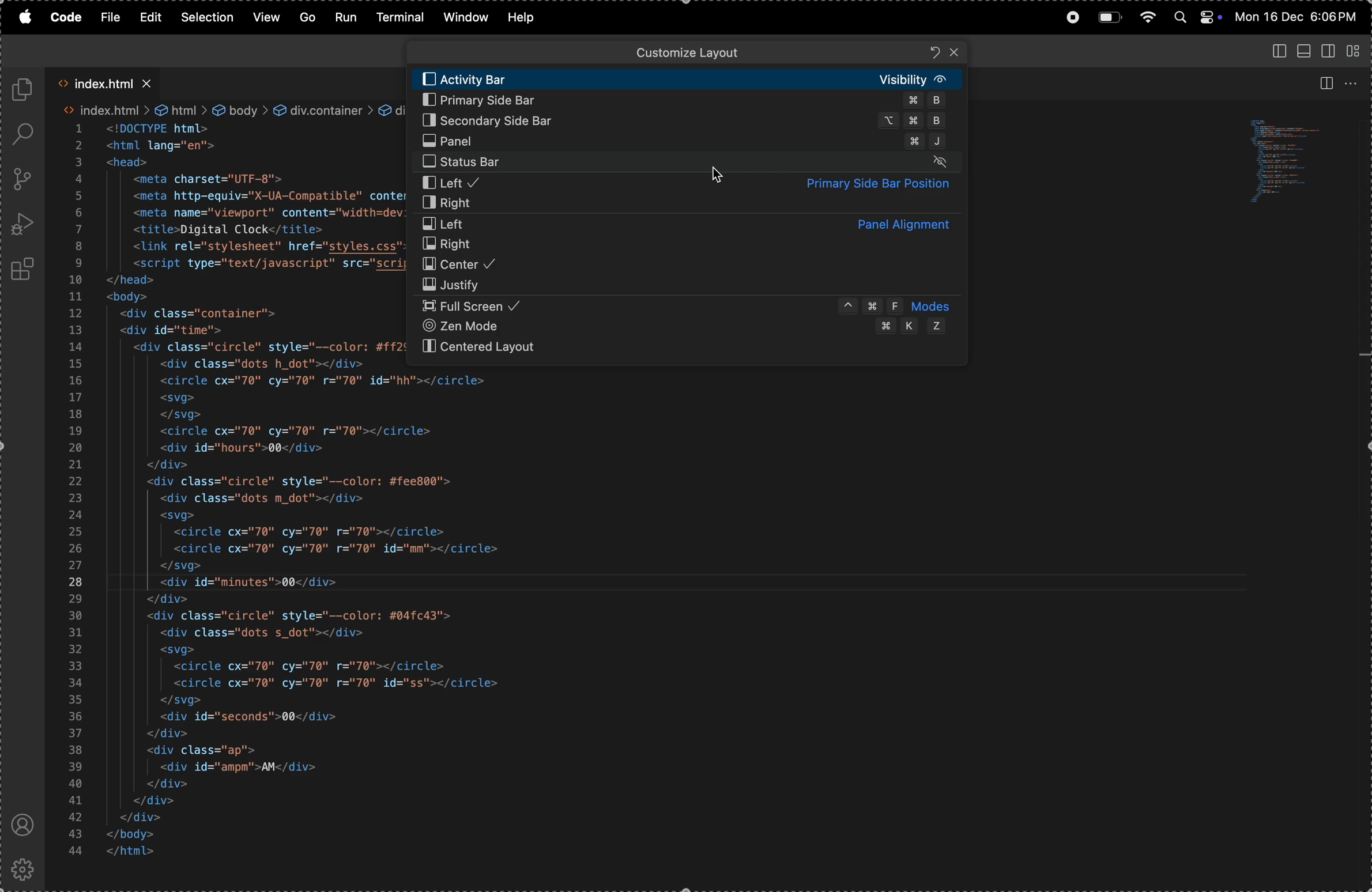 This screenshot has width=1372, height=892. I want to click on source control, so click(25, 179).